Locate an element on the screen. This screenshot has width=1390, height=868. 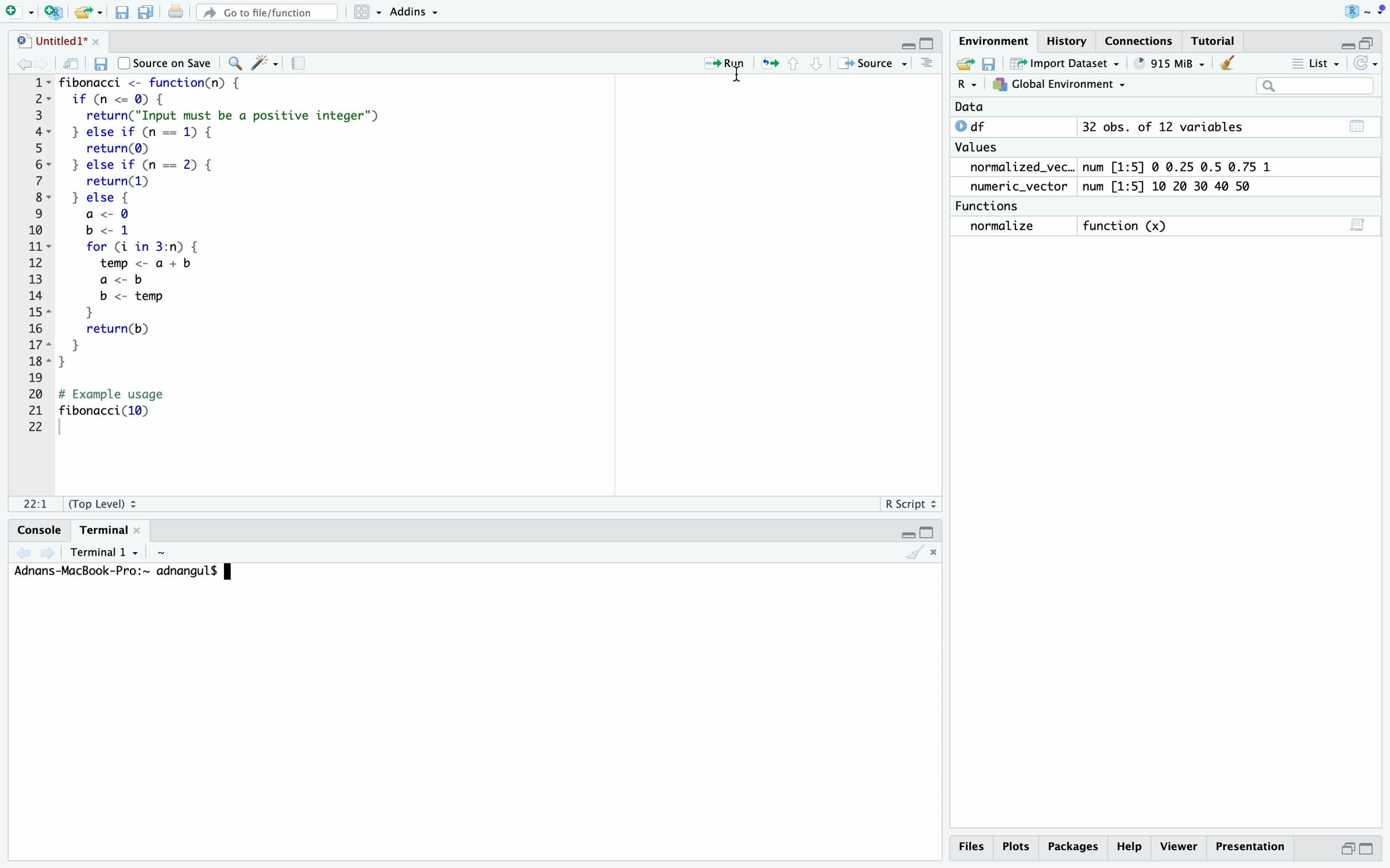
list is located at coordinates (1311, 61).